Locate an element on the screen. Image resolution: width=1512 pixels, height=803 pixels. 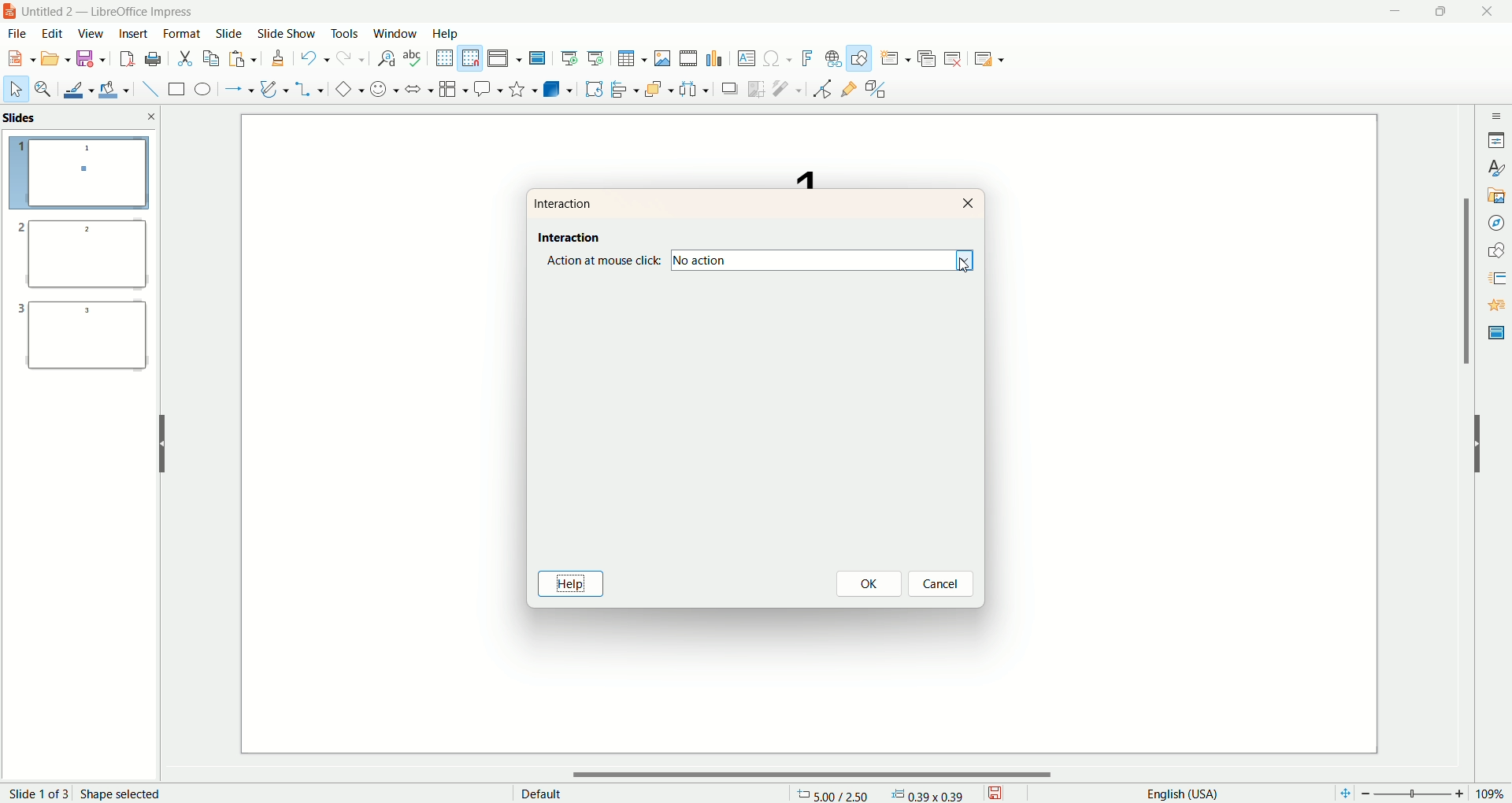
master slide is located at coordinates (539, 58).